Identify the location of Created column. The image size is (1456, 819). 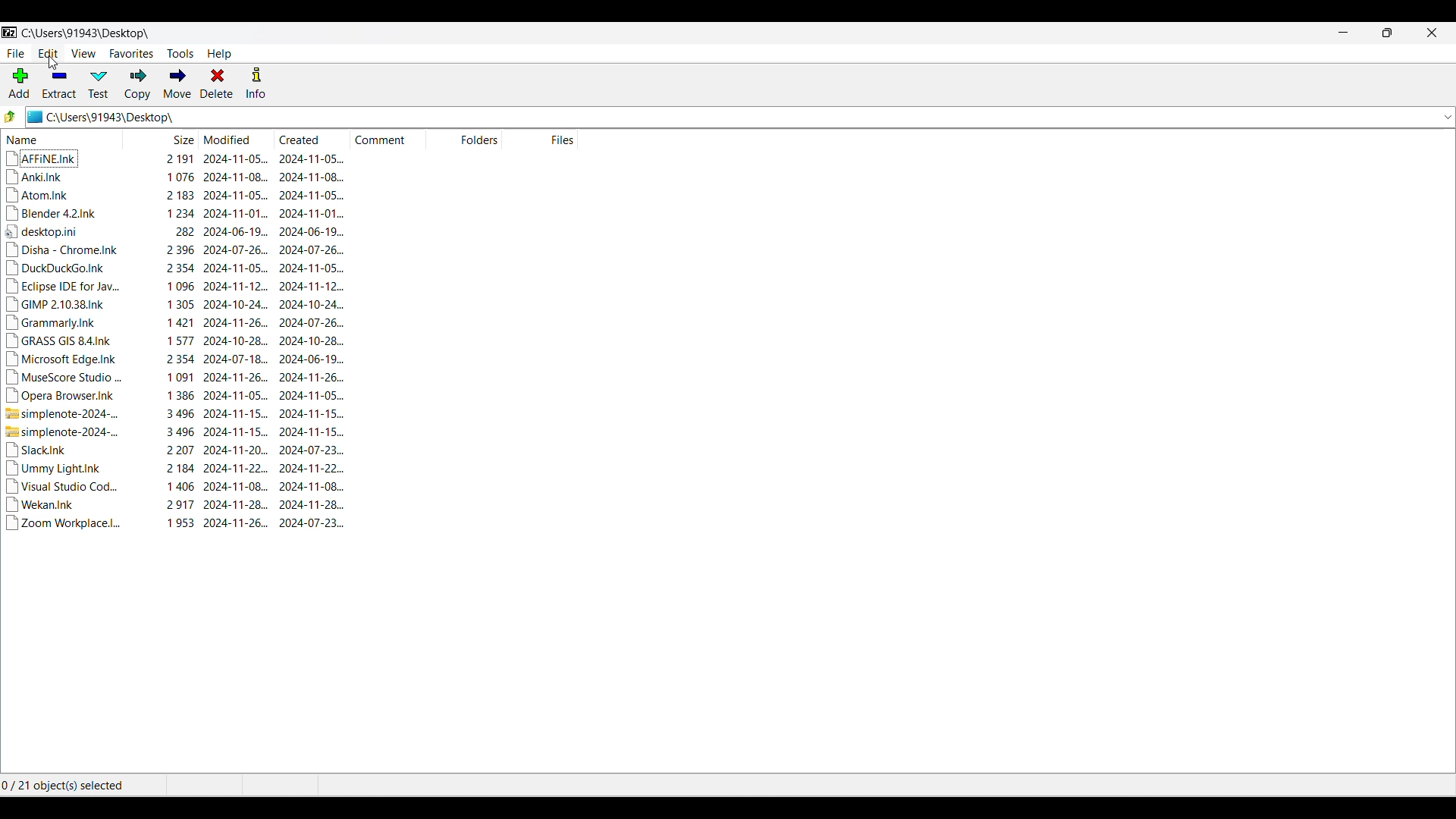
(315, 139).